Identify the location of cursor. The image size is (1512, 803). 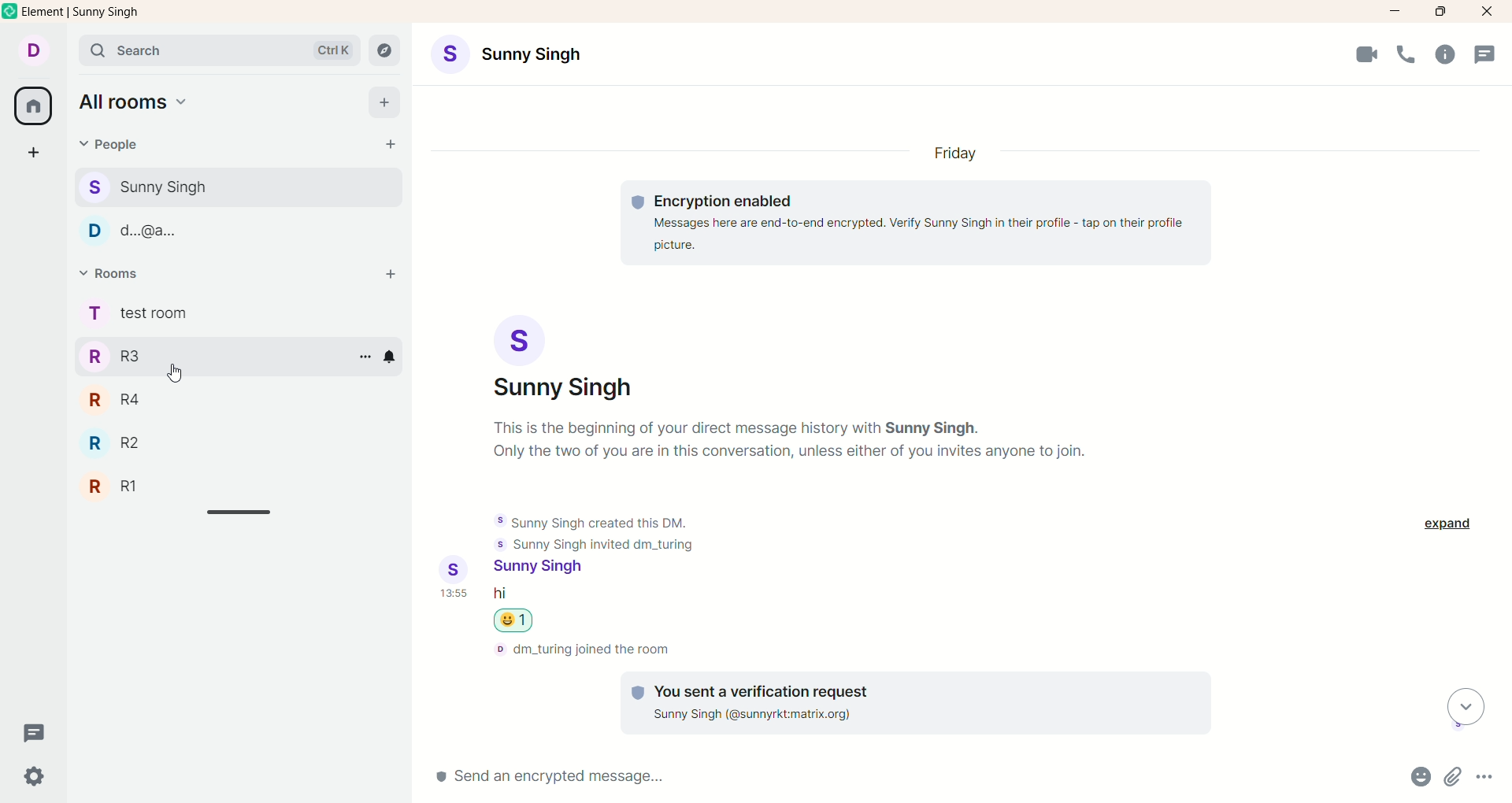
(172, 374).